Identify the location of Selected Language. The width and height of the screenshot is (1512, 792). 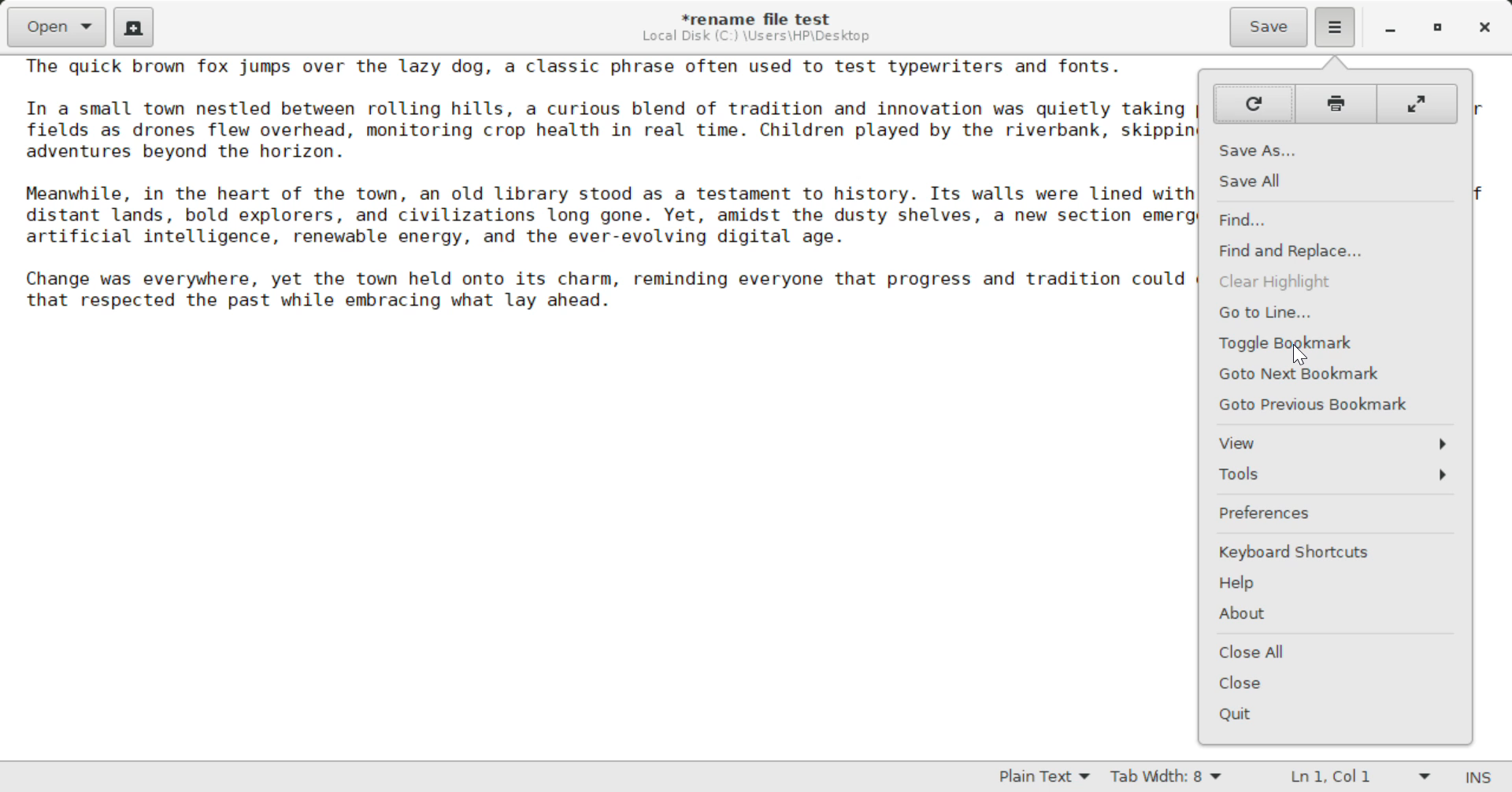
(1044, 779).